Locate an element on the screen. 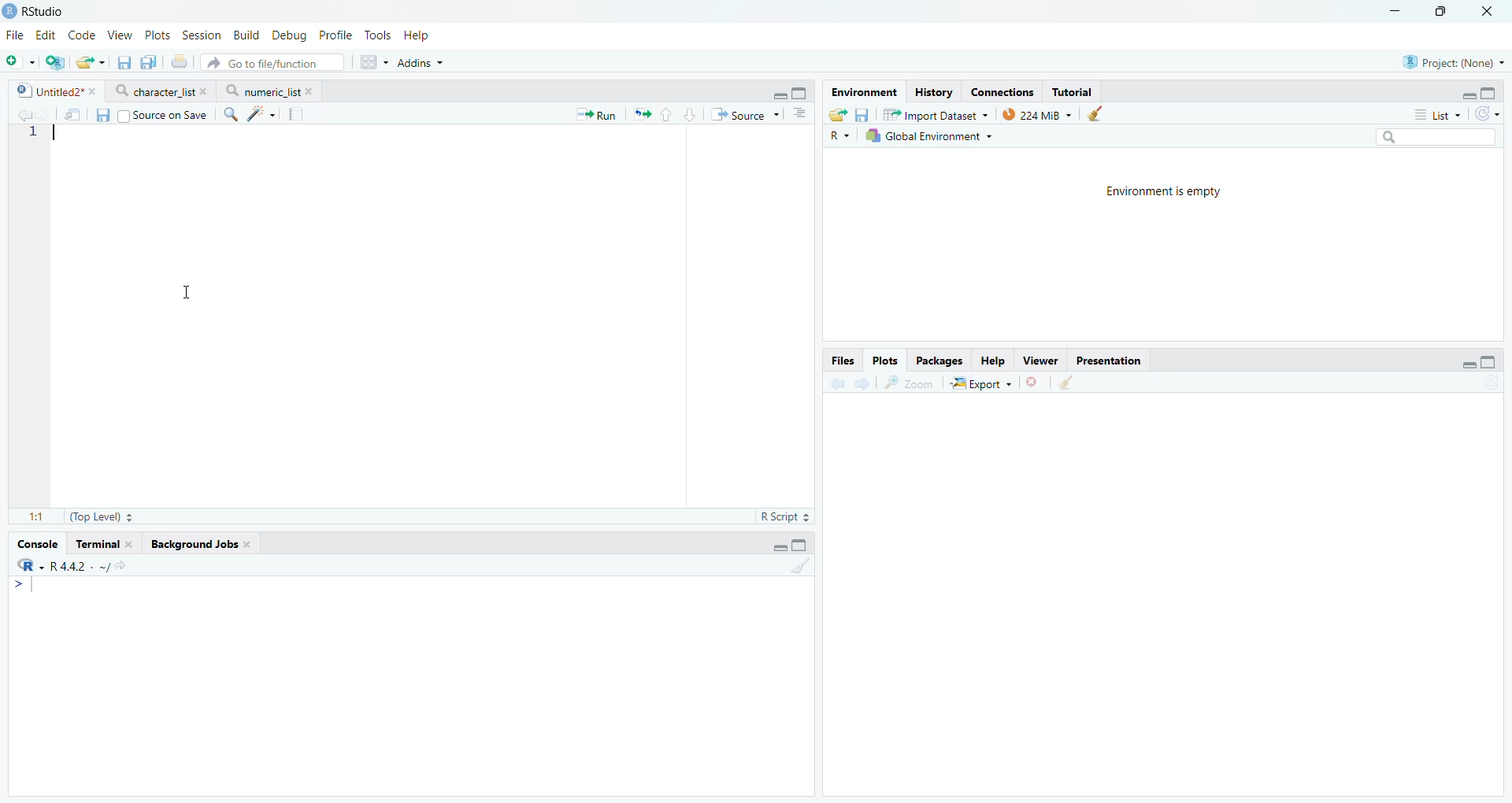 The image size is (1512, 803). Console is located at coordinates (39, 545).